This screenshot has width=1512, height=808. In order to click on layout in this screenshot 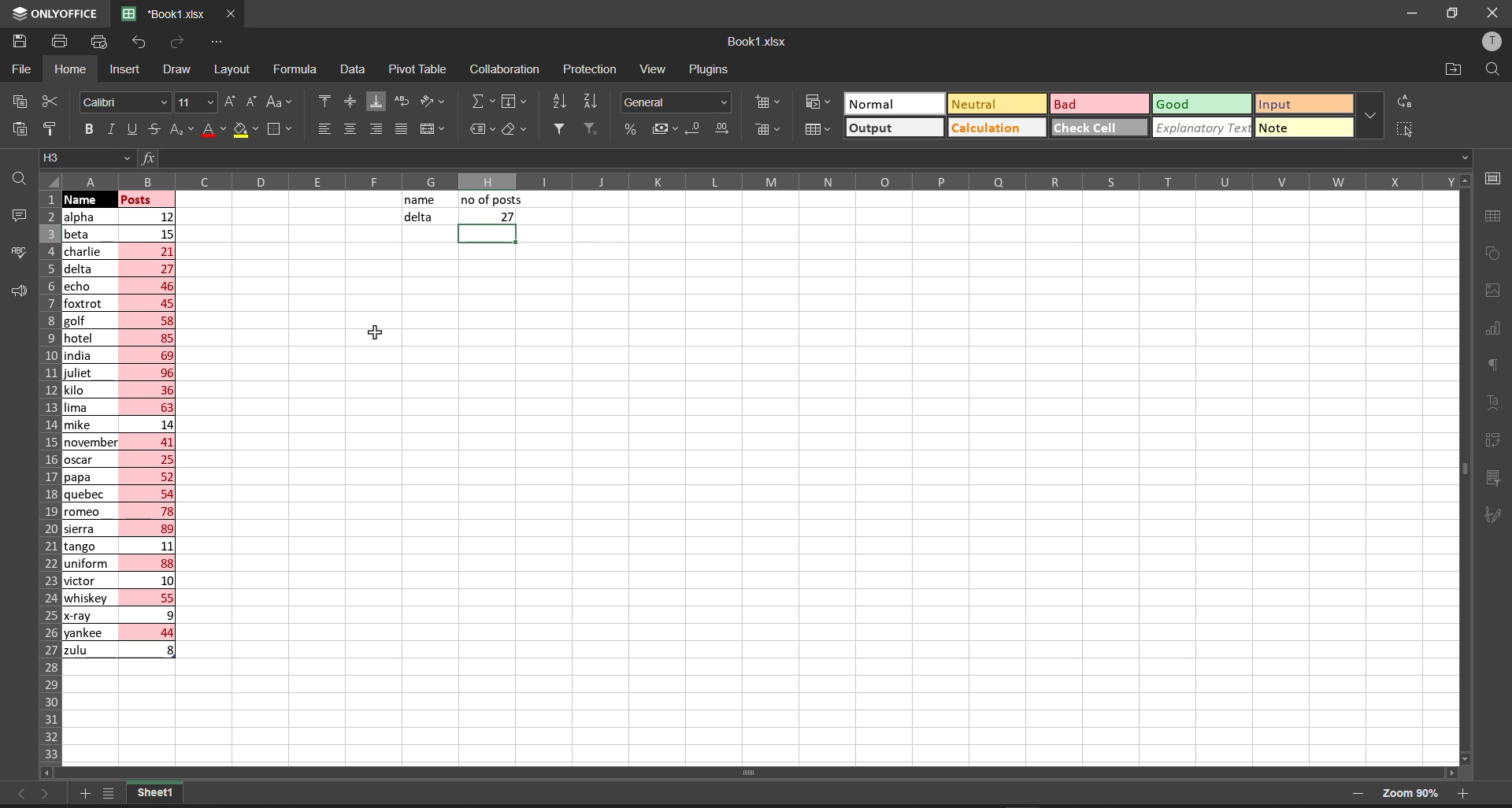, I will do `click(234, 70)`.